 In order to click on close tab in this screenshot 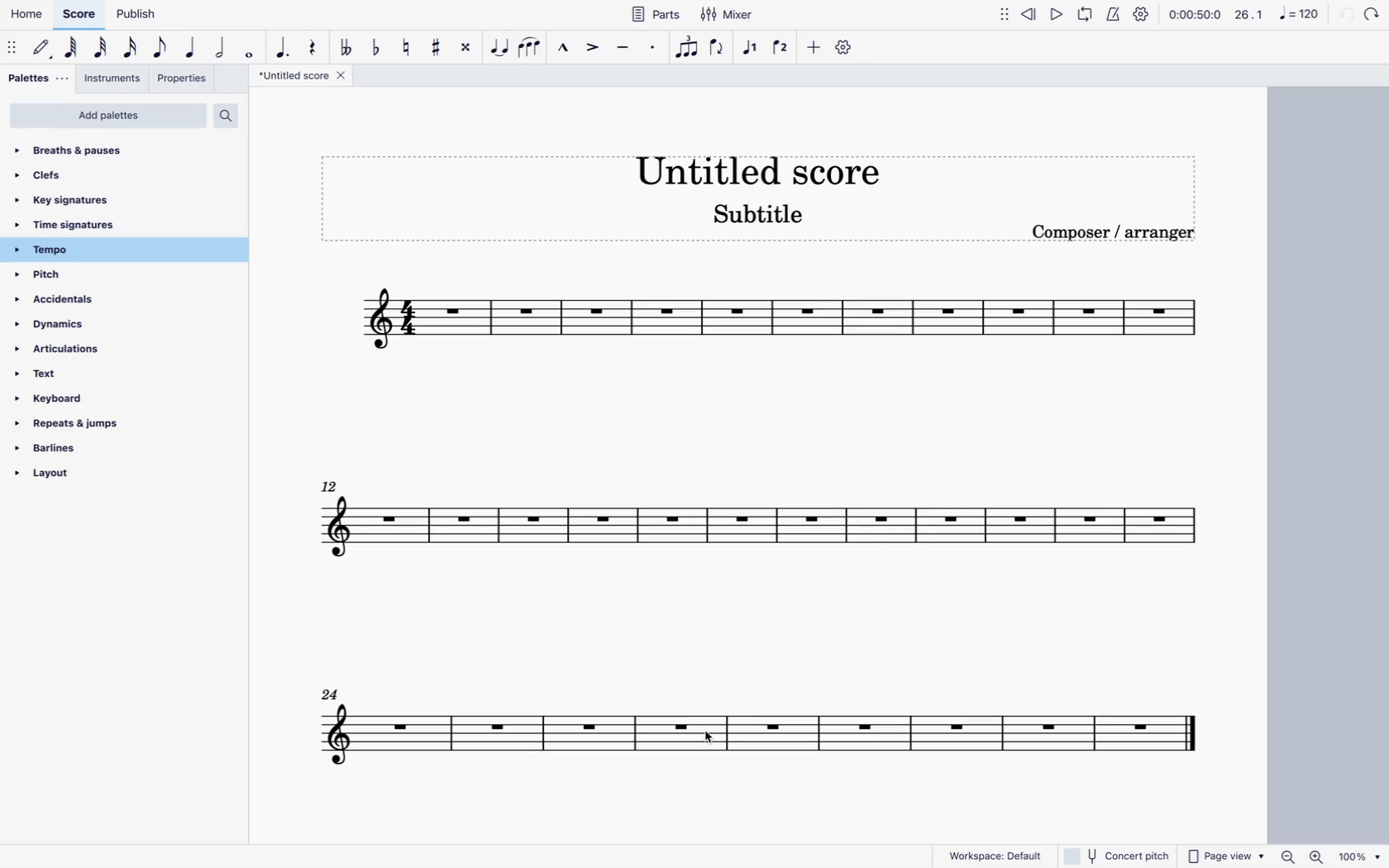, I will do `click(340, 79)`.